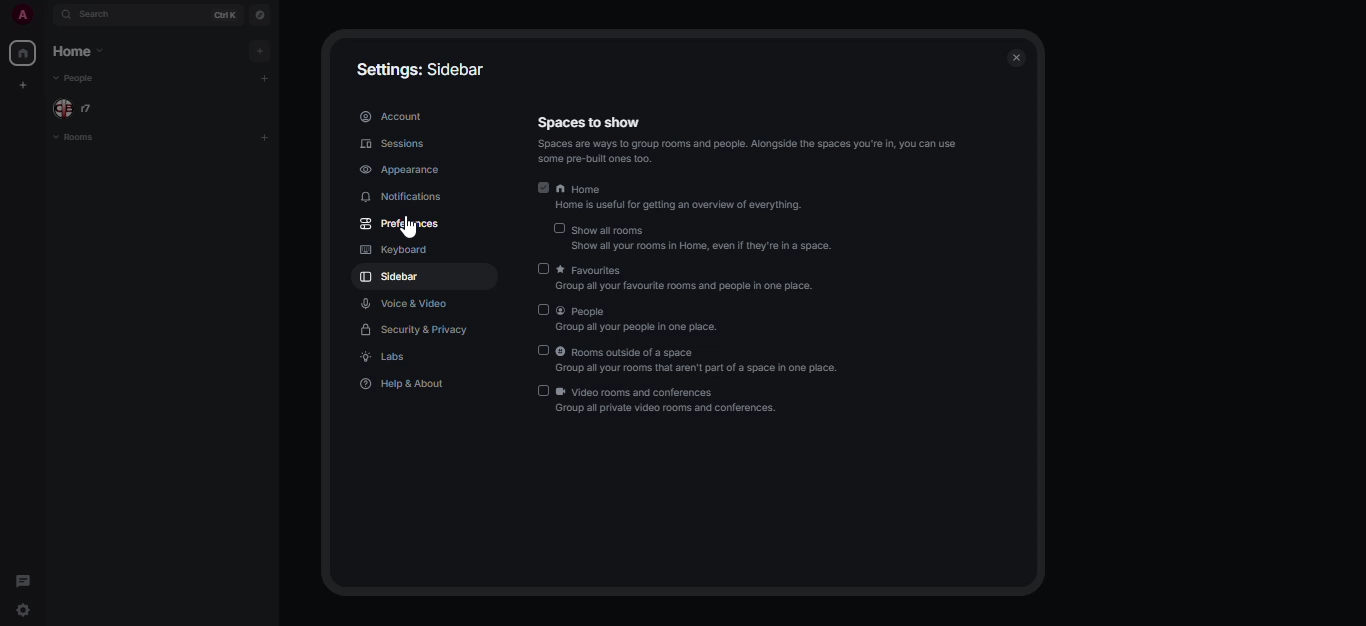 This screenshot has width=1366, height=626. Describe the element at coordinates (404, 231) in the screenshot. I see `cursor on preferences` at that location.